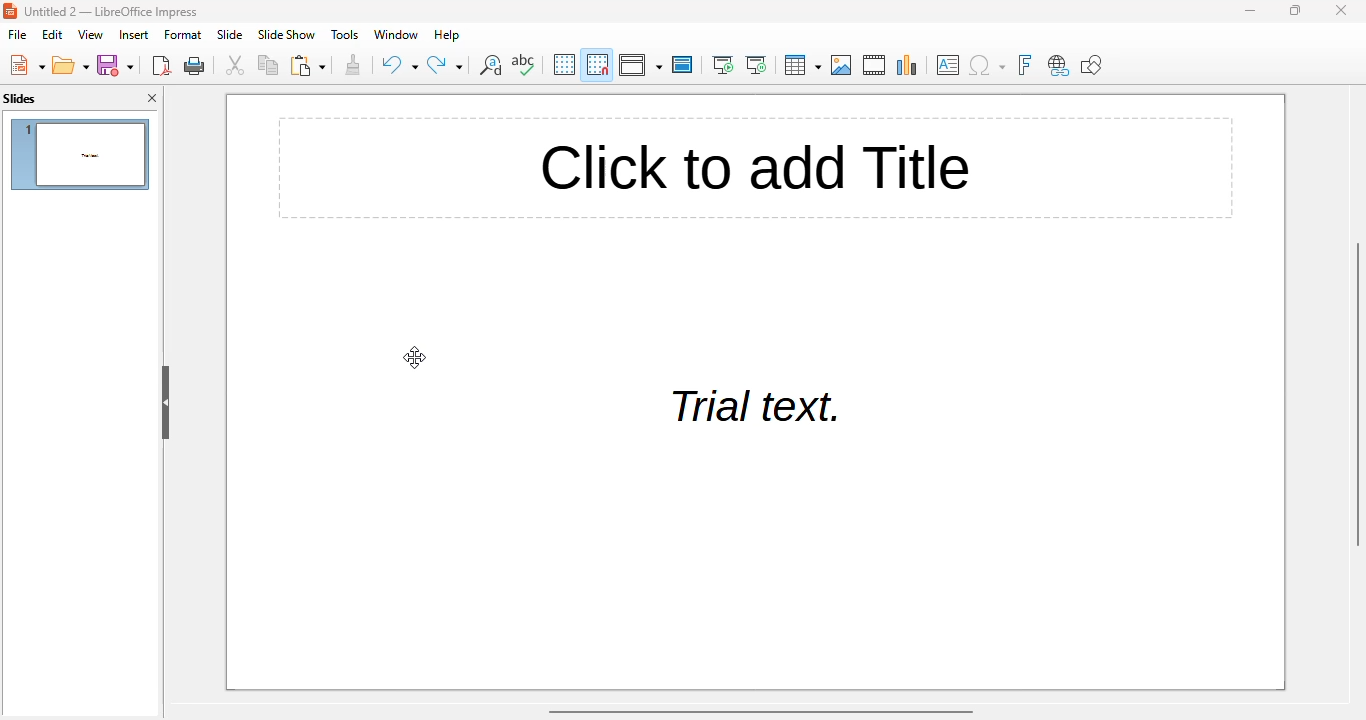  Describe the element at coordinates (195, 66) in the screenshot. I see `print` at that location.